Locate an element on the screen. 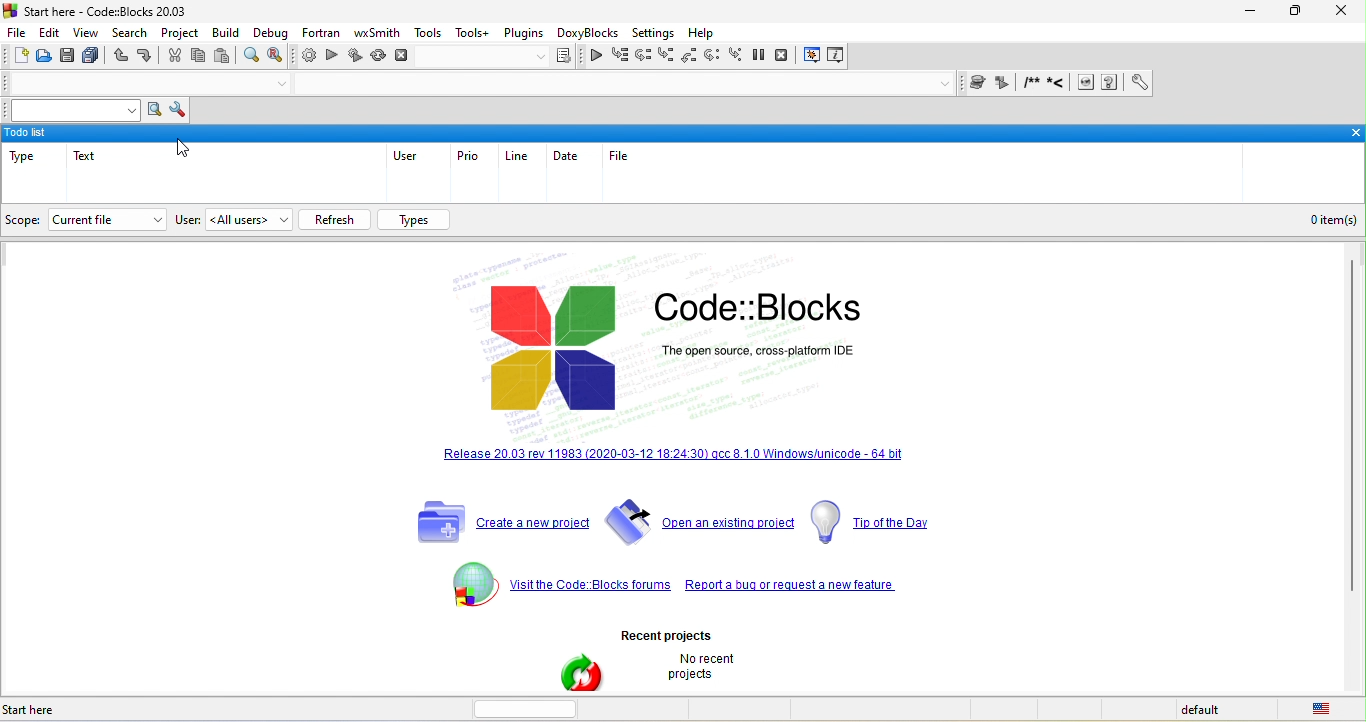 The width and height of the screenshot is (1366, 722). build  is located at coordinates (307, 58).